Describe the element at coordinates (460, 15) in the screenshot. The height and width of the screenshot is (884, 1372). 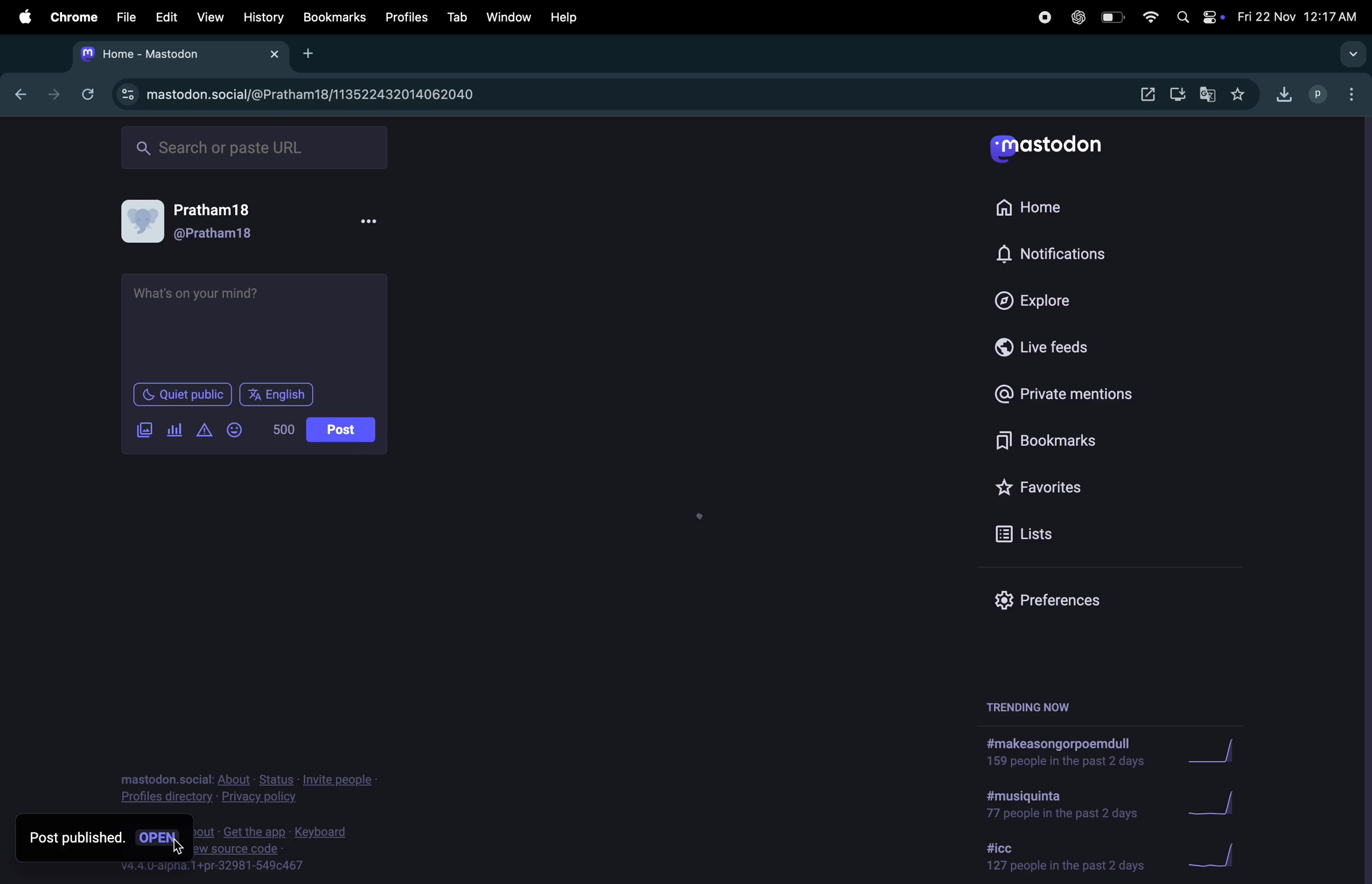
I see `tab` at that location.